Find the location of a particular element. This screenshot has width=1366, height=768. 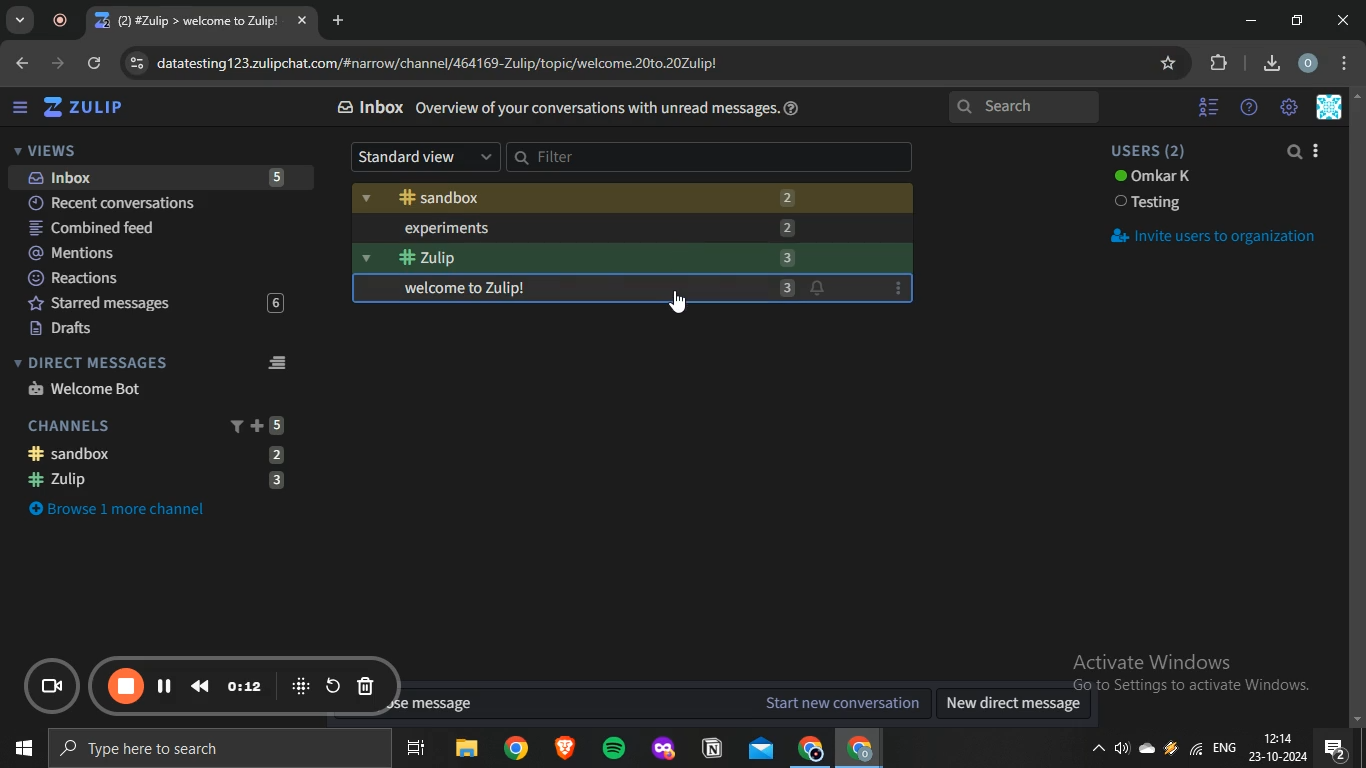

close tab is located at coordinates (304, 22).